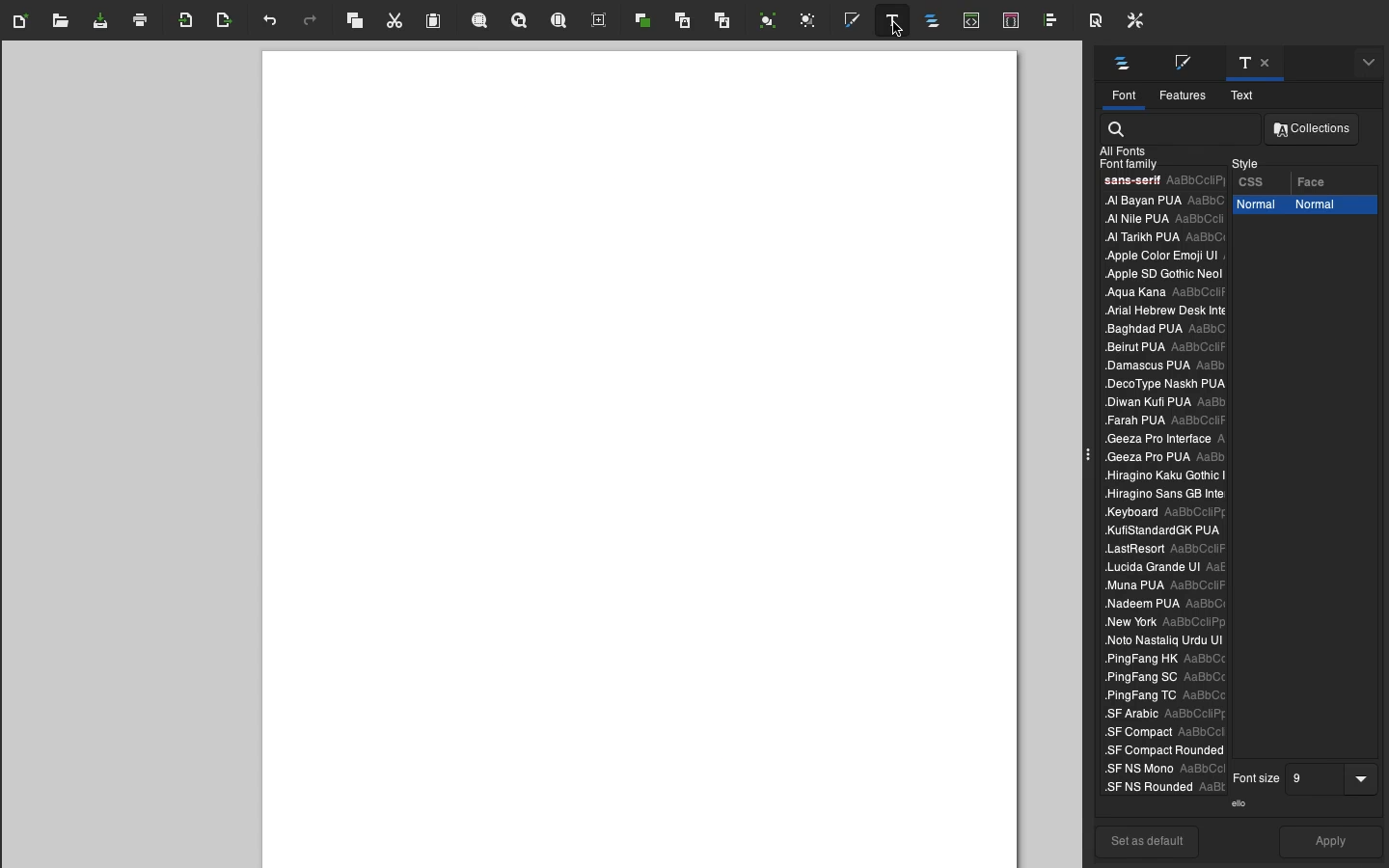 The image size is (1389, 868). Describe the element at coordinates (1165, 420) in the screenshot. I see `.Farah PUA` at that location.